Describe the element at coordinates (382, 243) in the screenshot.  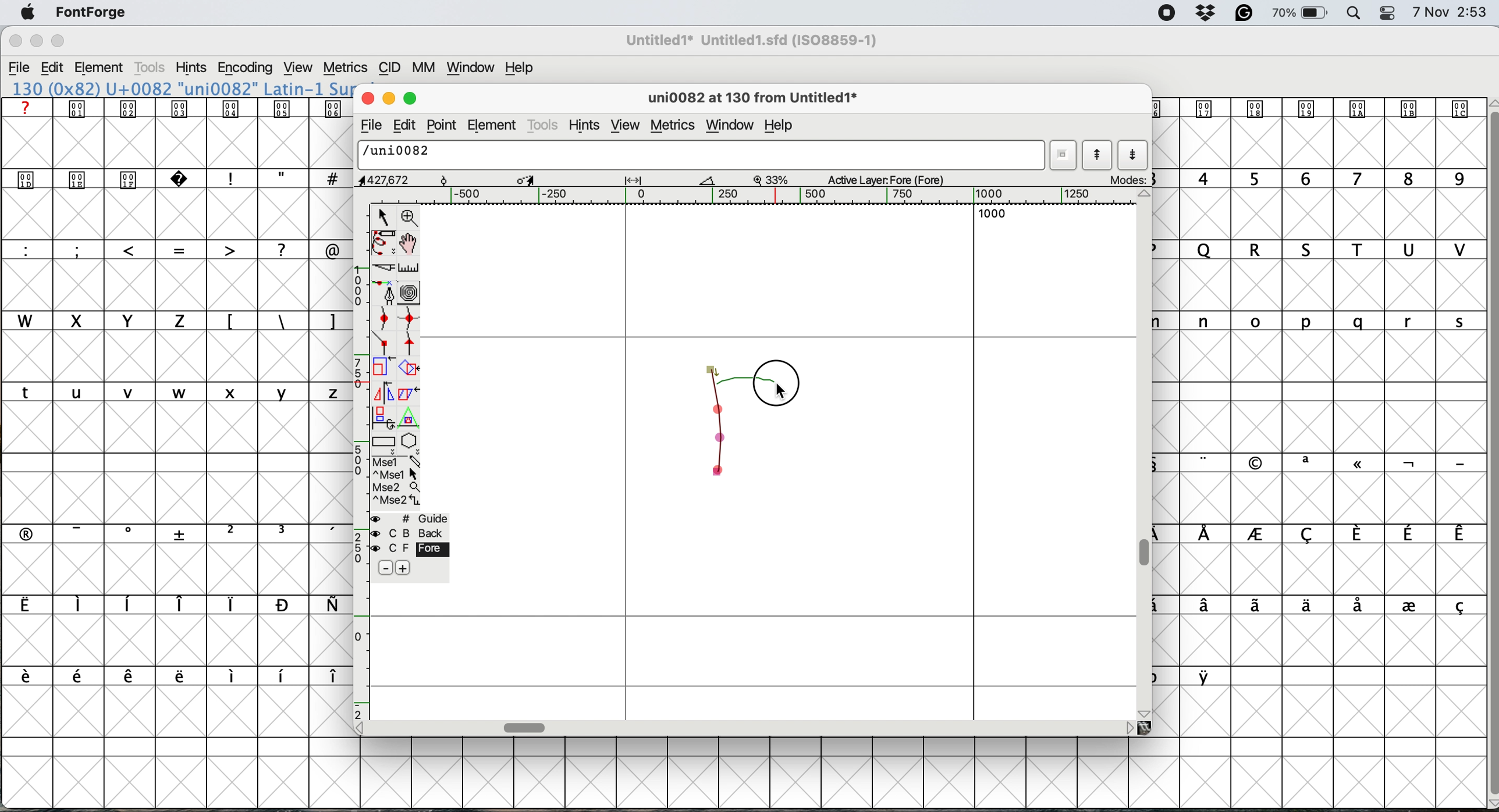
I see `draw freehand curve` at that location.